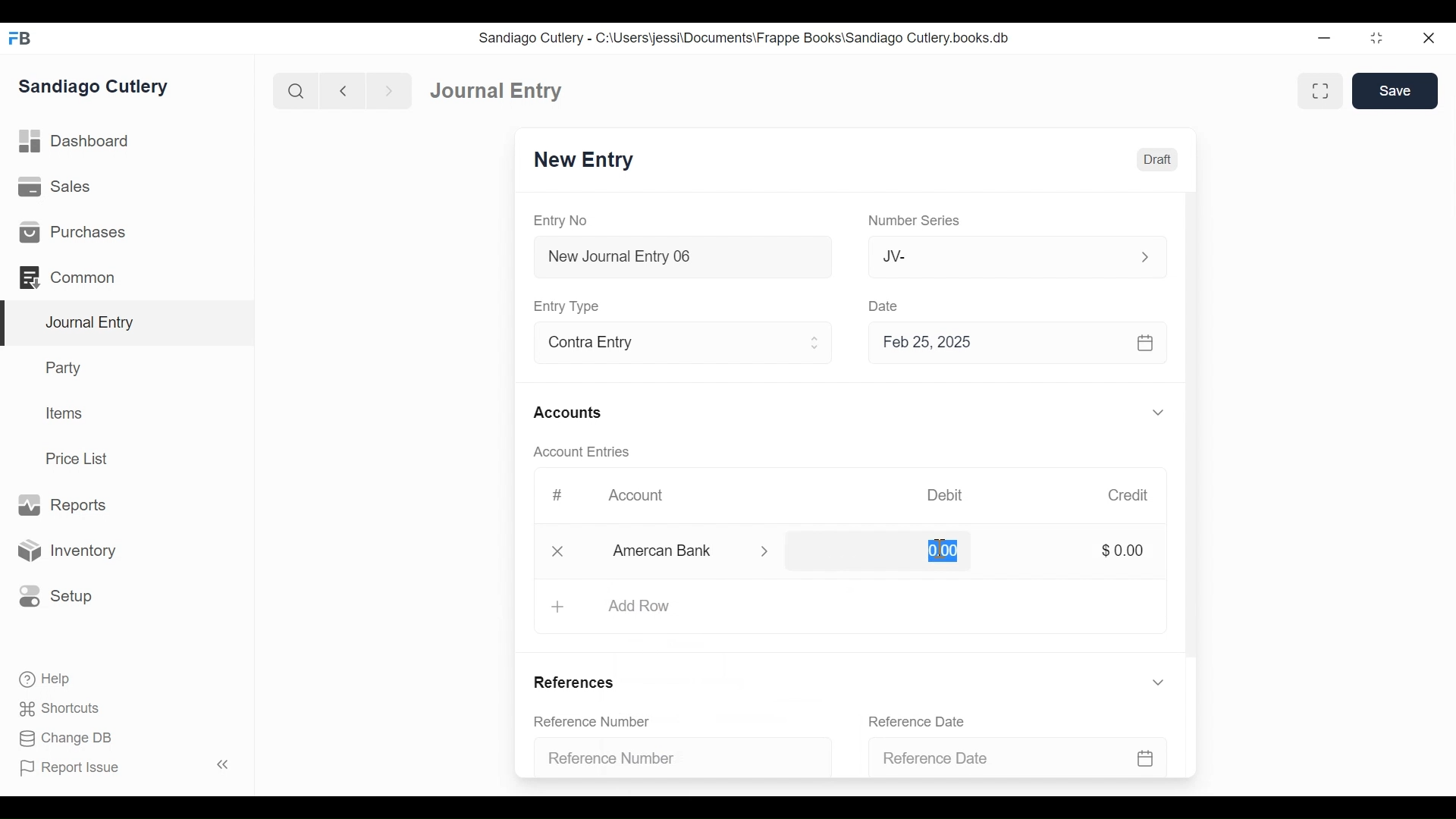 The image size is (1456, 819). I want to click on Shortcuts, so click(64, 708).